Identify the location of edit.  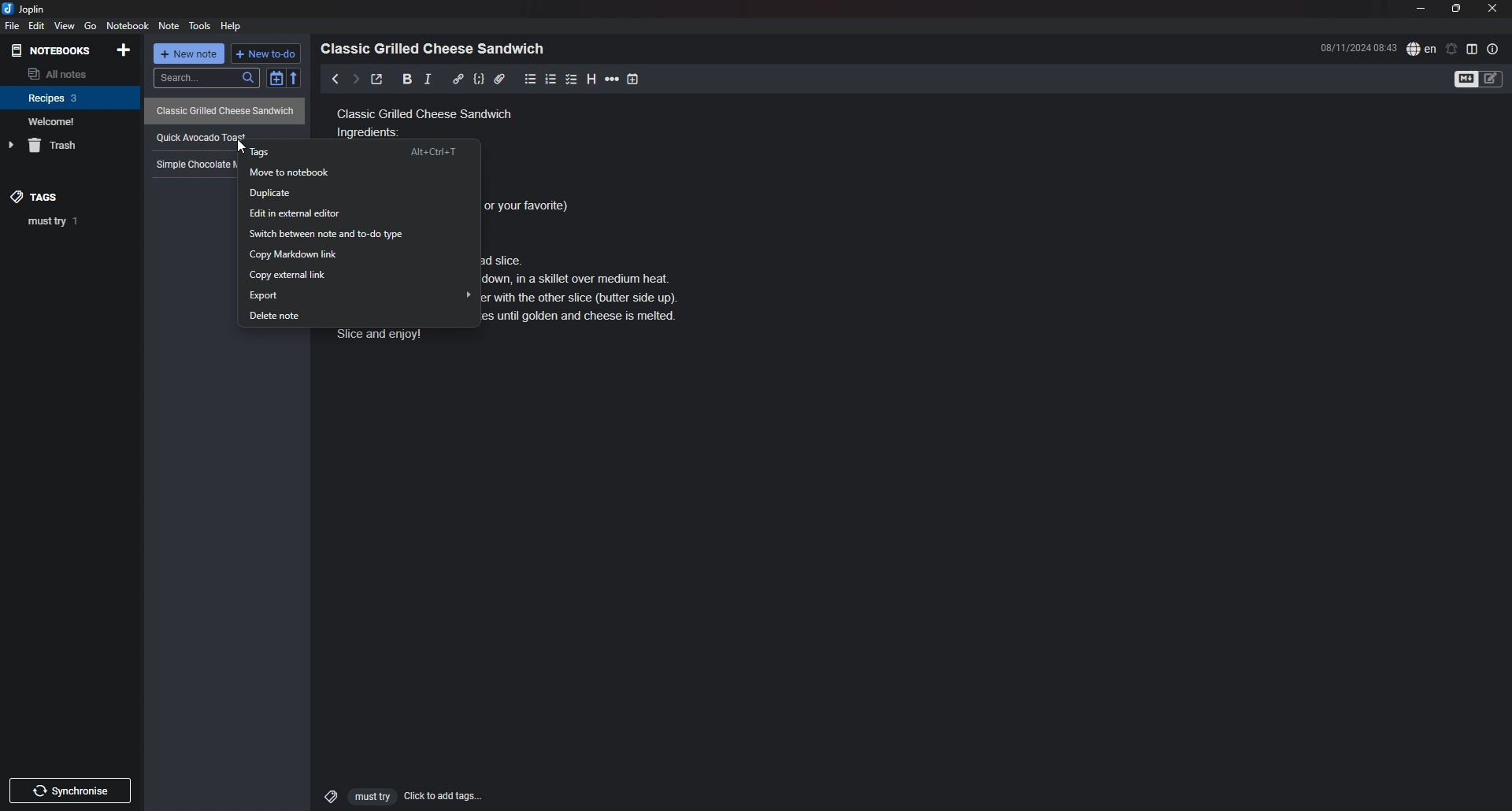
(35, 26).